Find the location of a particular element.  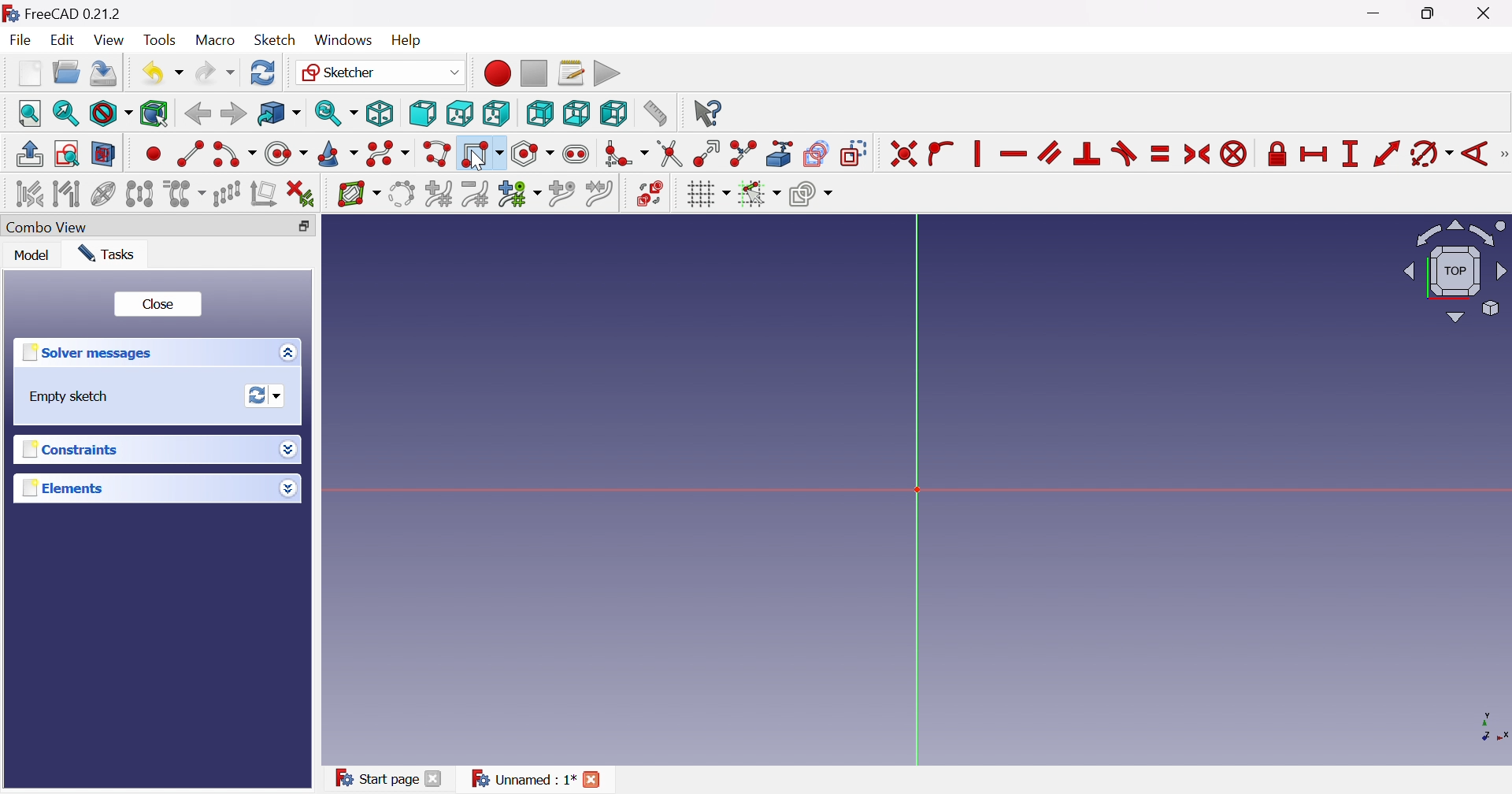

Close is located at coordinates (435, 780).